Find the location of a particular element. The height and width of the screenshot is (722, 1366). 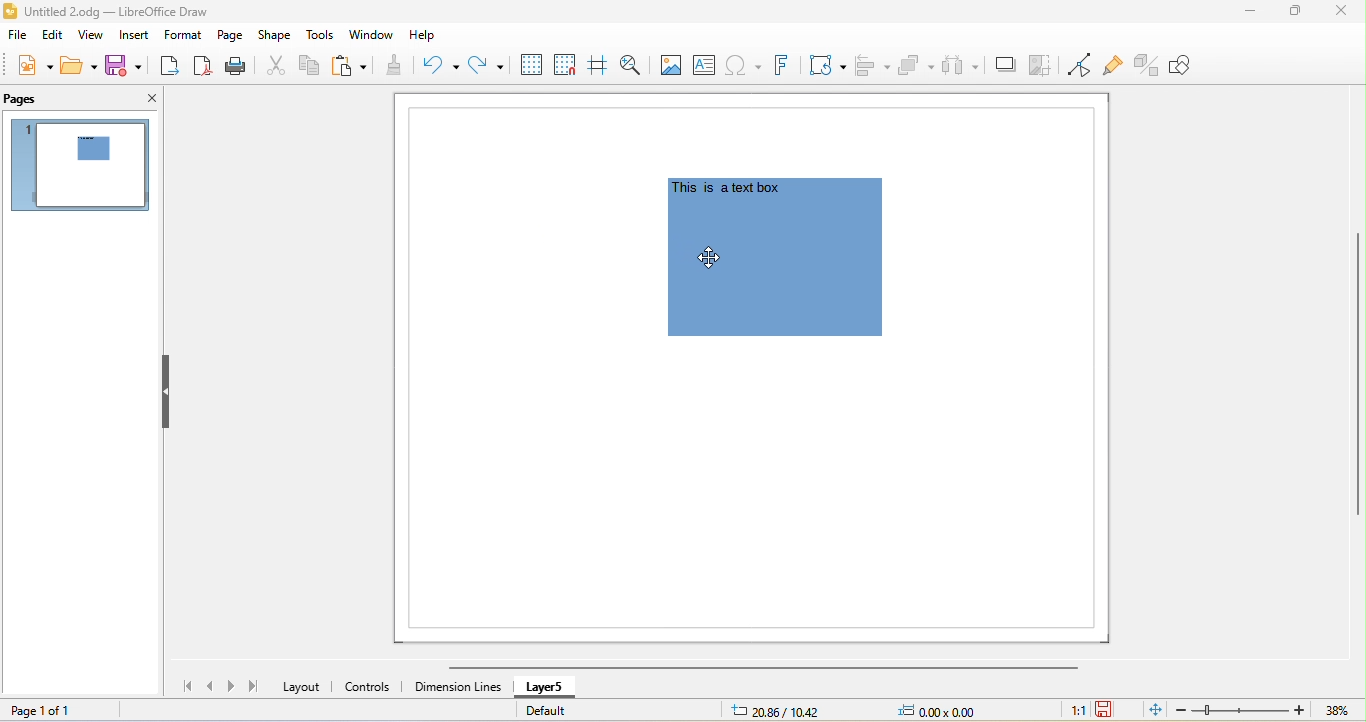

vertical scroll bar is located at coordinates (1355, 374).